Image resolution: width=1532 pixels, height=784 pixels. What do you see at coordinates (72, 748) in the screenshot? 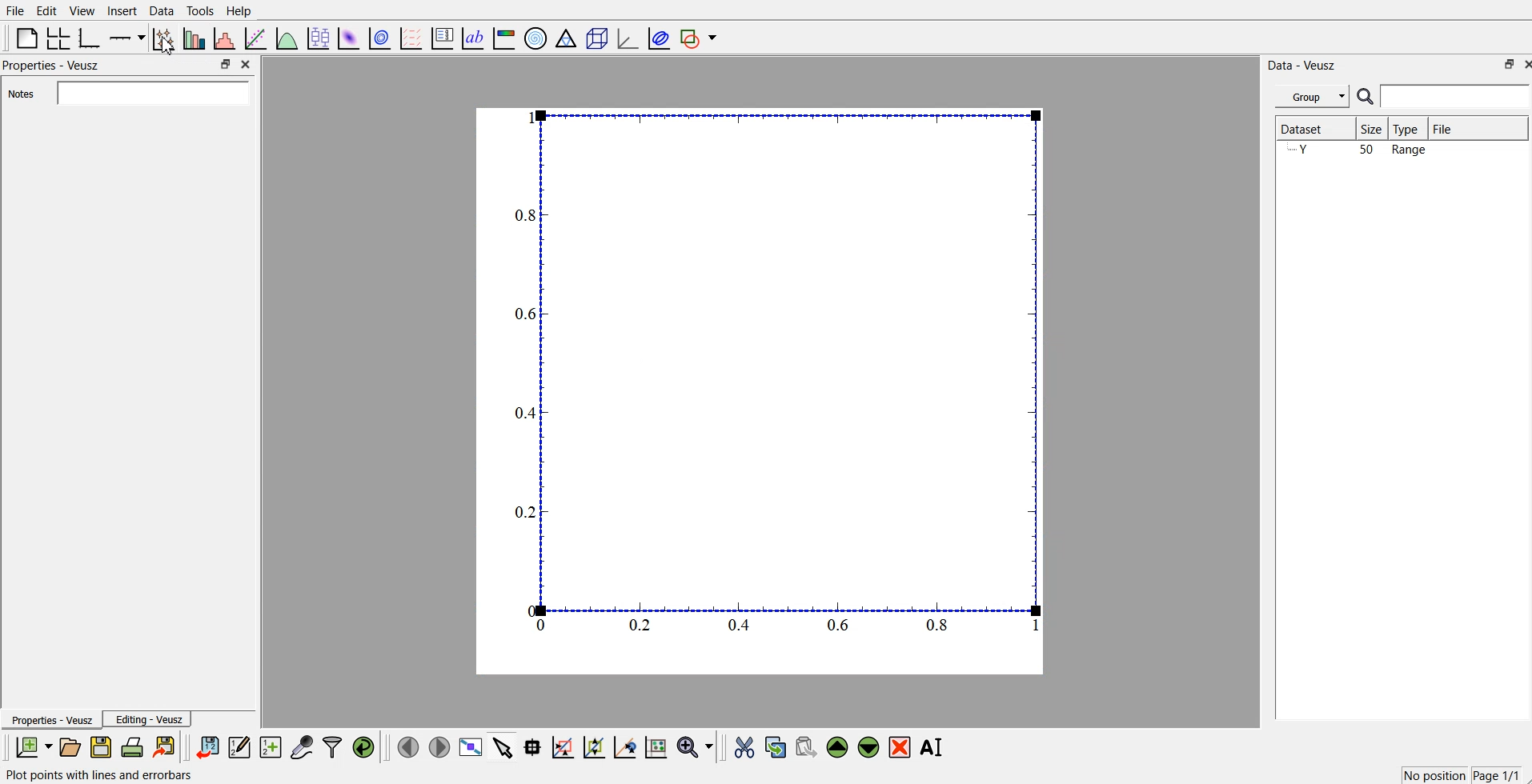
I see `open document` at bounding box center [72, 748].